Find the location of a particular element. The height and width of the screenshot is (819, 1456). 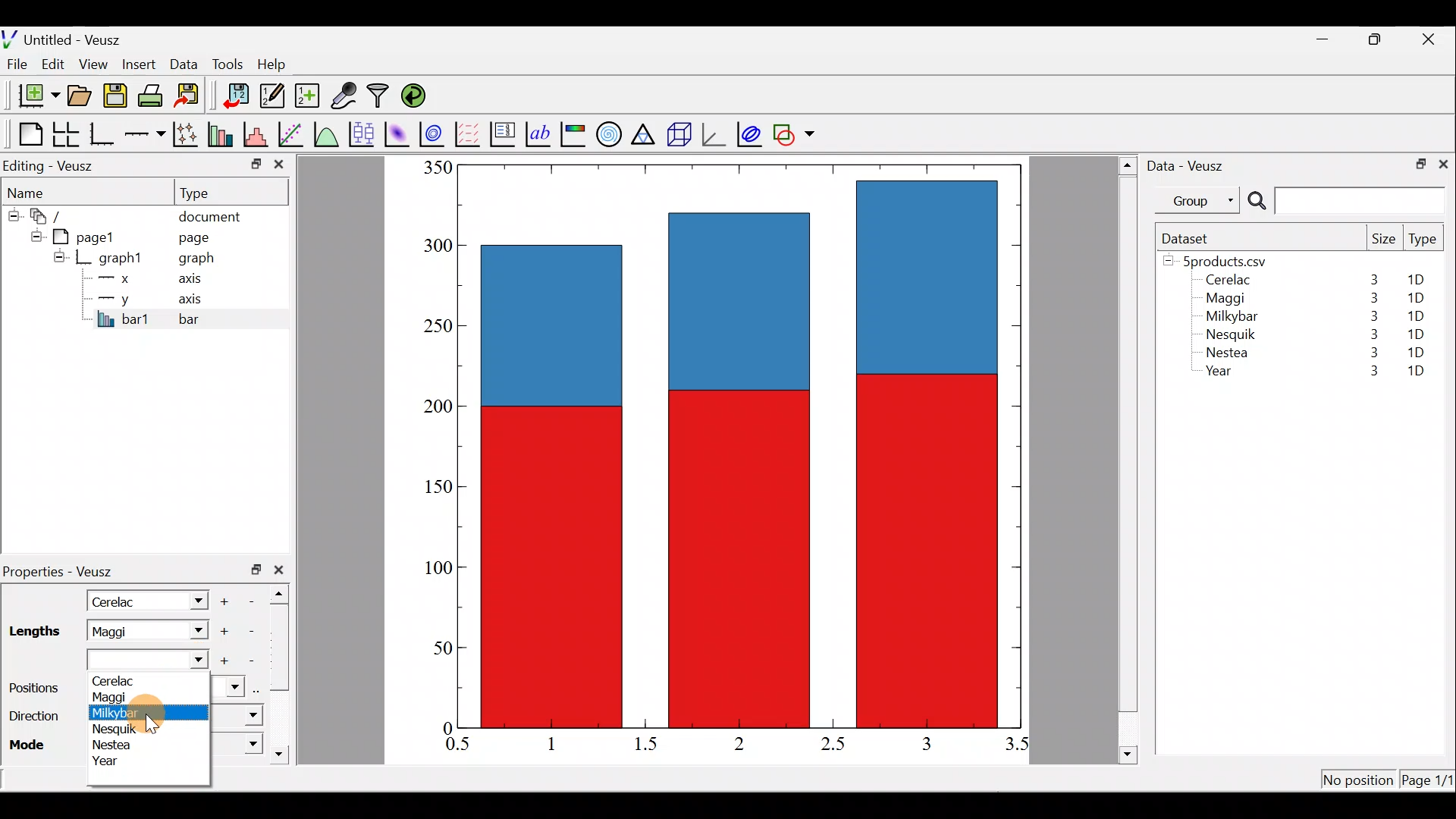

Add an axis to the plot is located at coordinates (148, 134).